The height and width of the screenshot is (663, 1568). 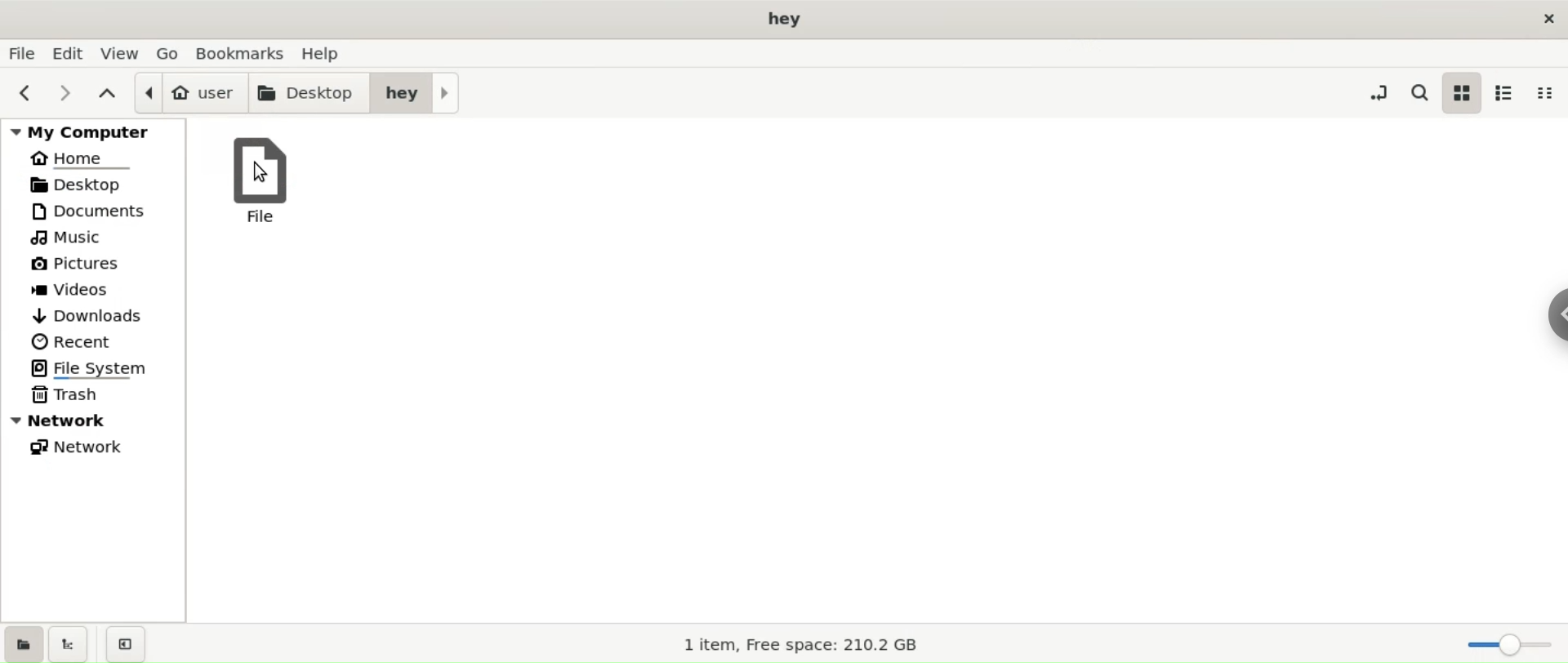 What do you see at coordinates (96, 239) in the screenshot?
I see `music` at bounding box center [96, 239].